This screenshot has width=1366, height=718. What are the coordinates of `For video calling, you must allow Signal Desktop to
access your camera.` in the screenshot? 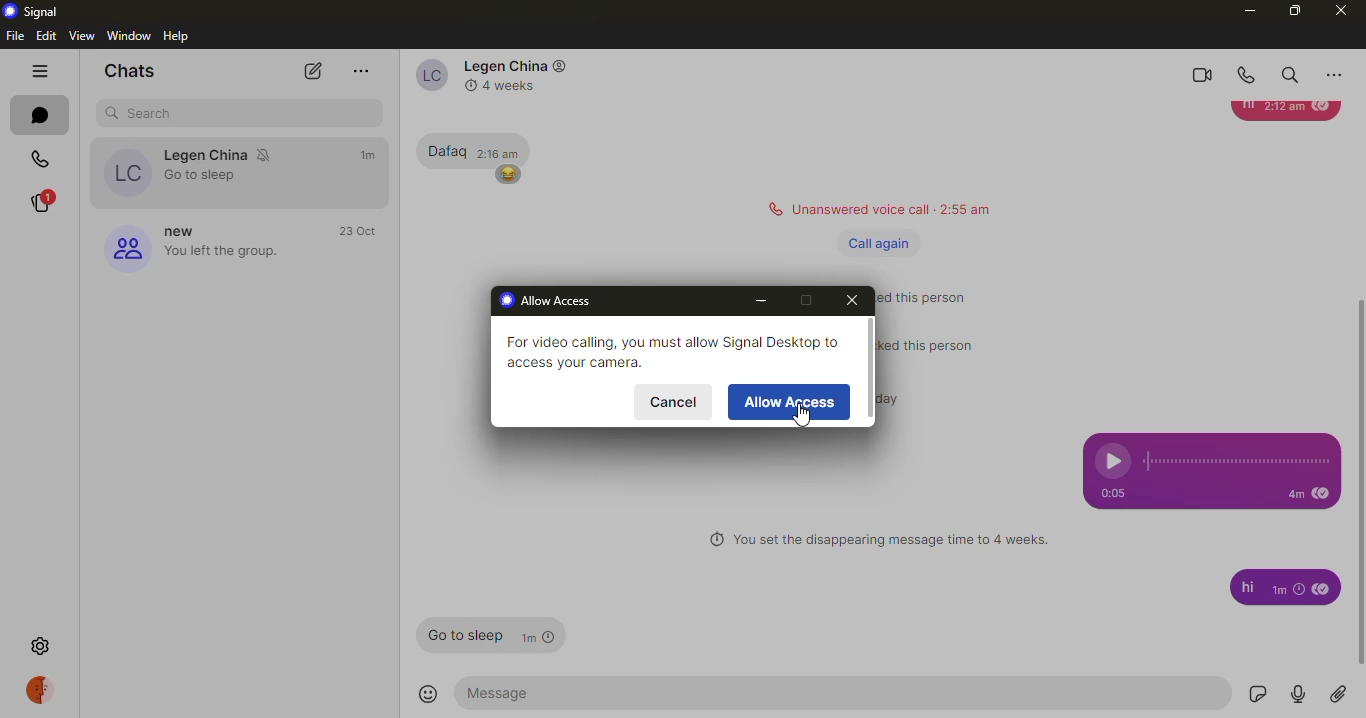 It's located at (669, 349).